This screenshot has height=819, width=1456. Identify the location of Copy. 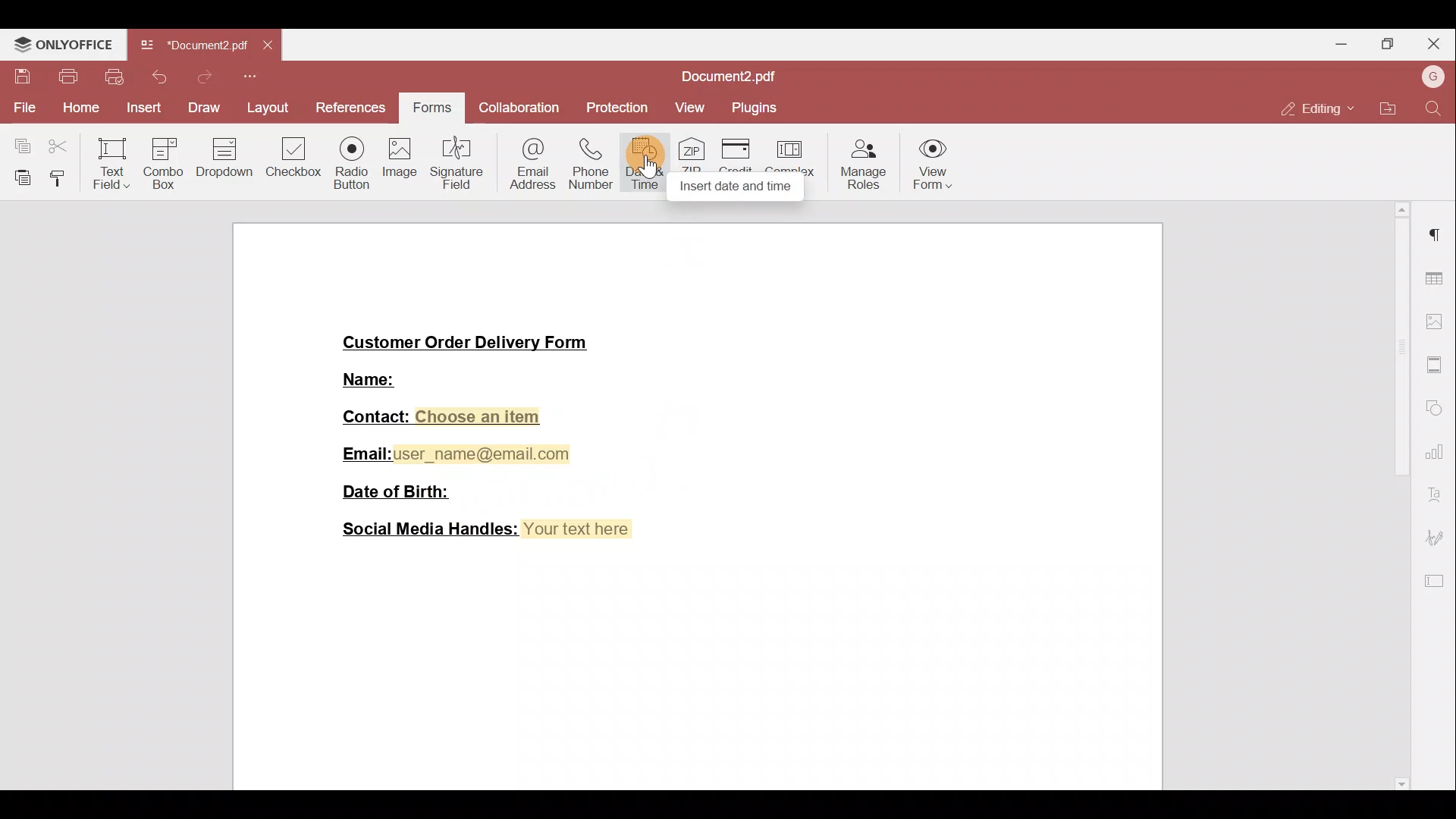
(19, 143).